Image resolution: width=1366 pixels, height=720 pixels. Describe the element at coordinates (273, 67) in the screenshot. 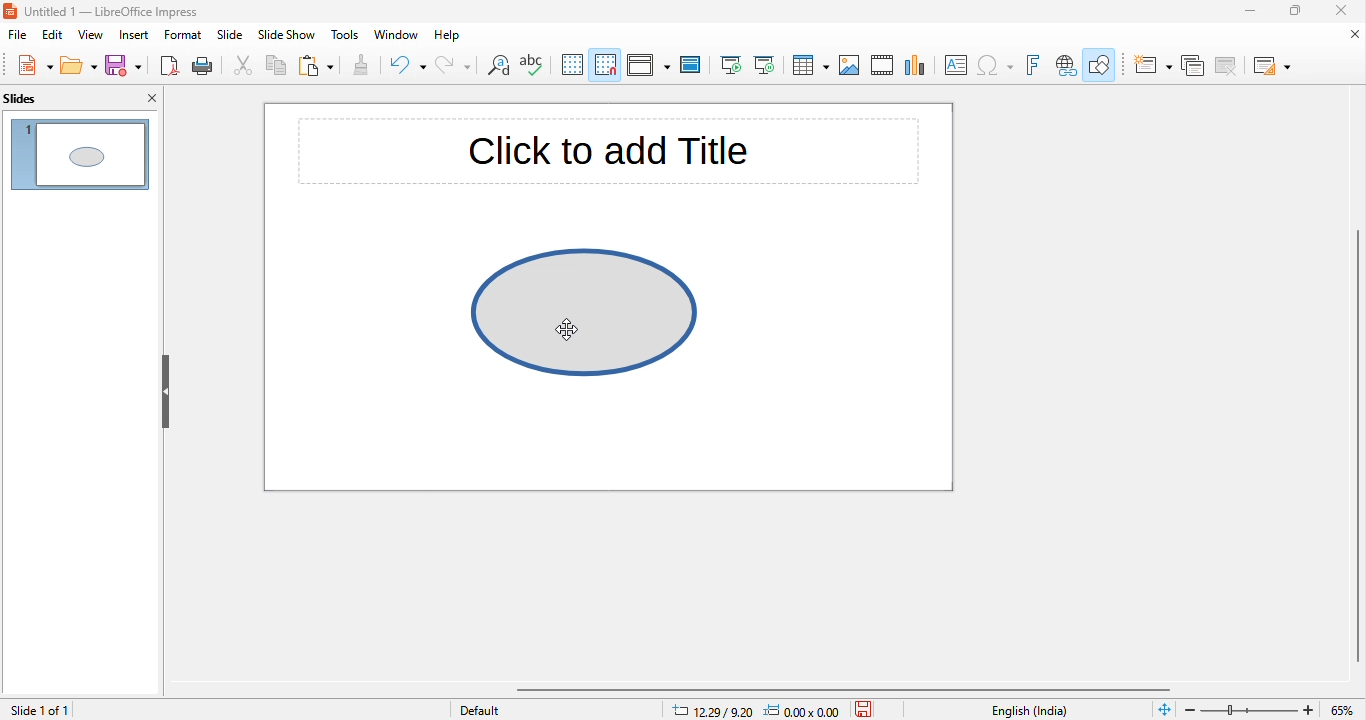

I see `copy` at that location.